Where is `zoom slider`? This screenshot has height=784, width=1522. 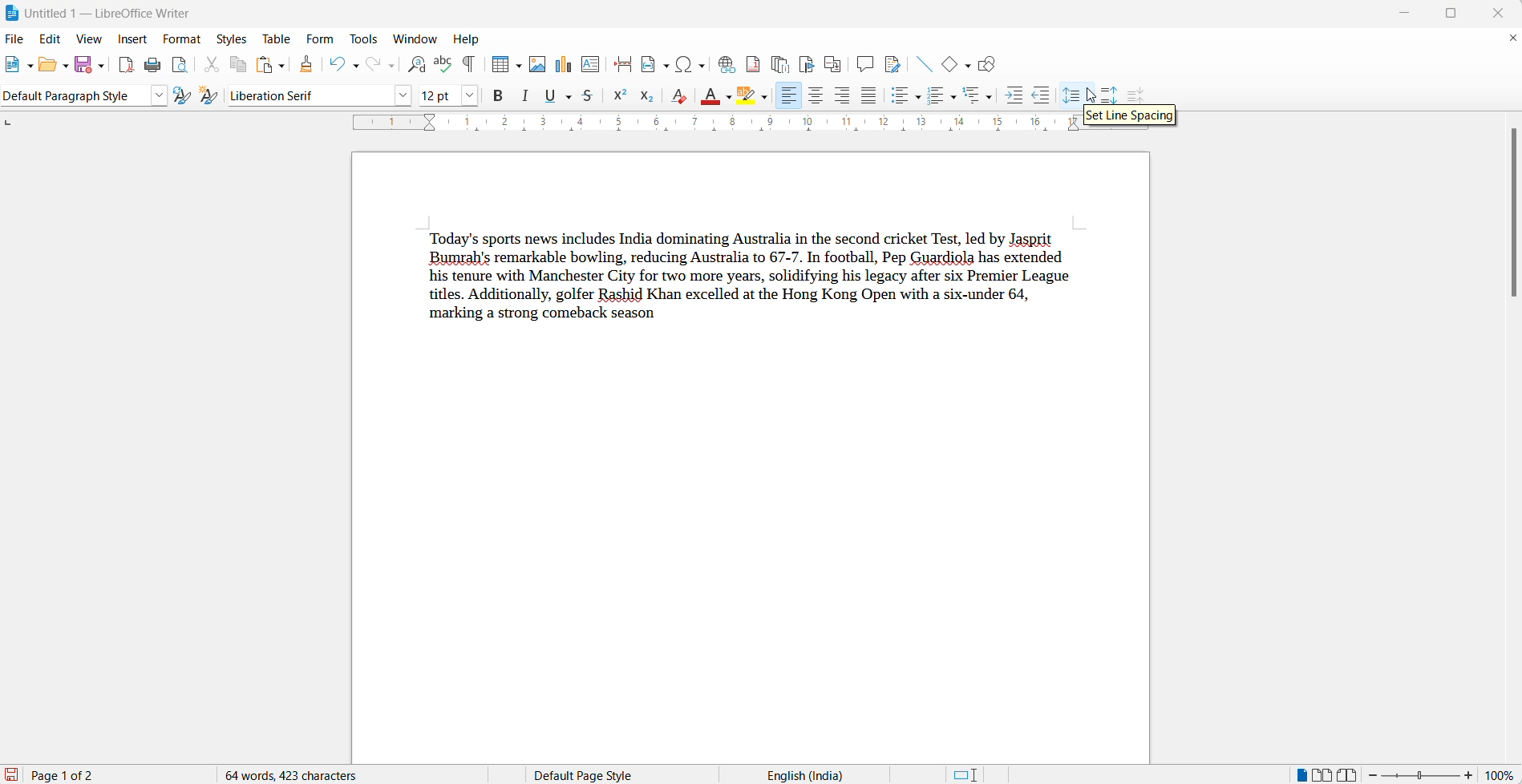 zoom slider is located at coordinates (1420, 775).